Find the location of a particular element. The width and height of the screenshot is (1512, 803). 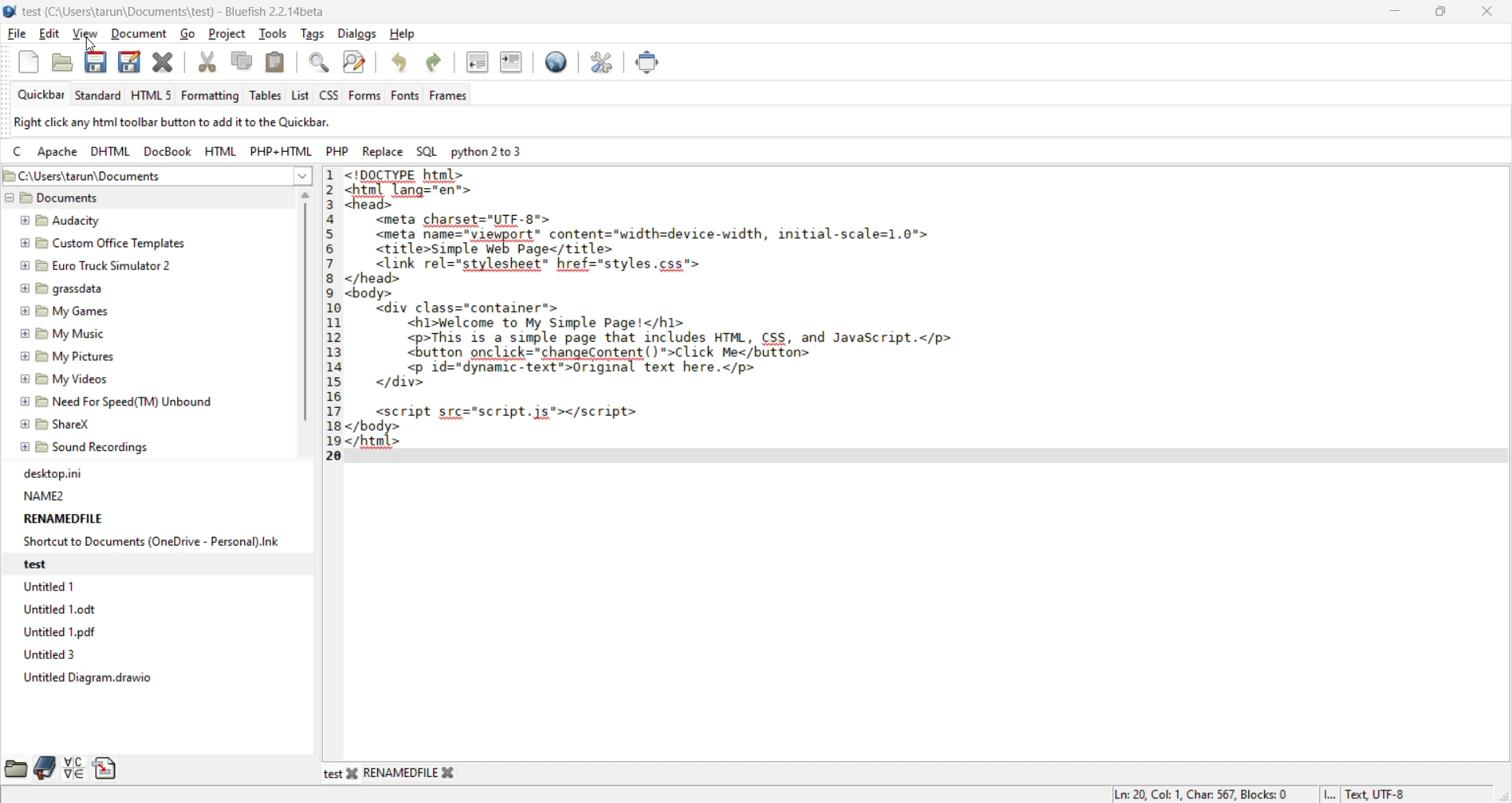

# [9 Need For Speed(TM) Unbound is located at coordinates (118, 404).